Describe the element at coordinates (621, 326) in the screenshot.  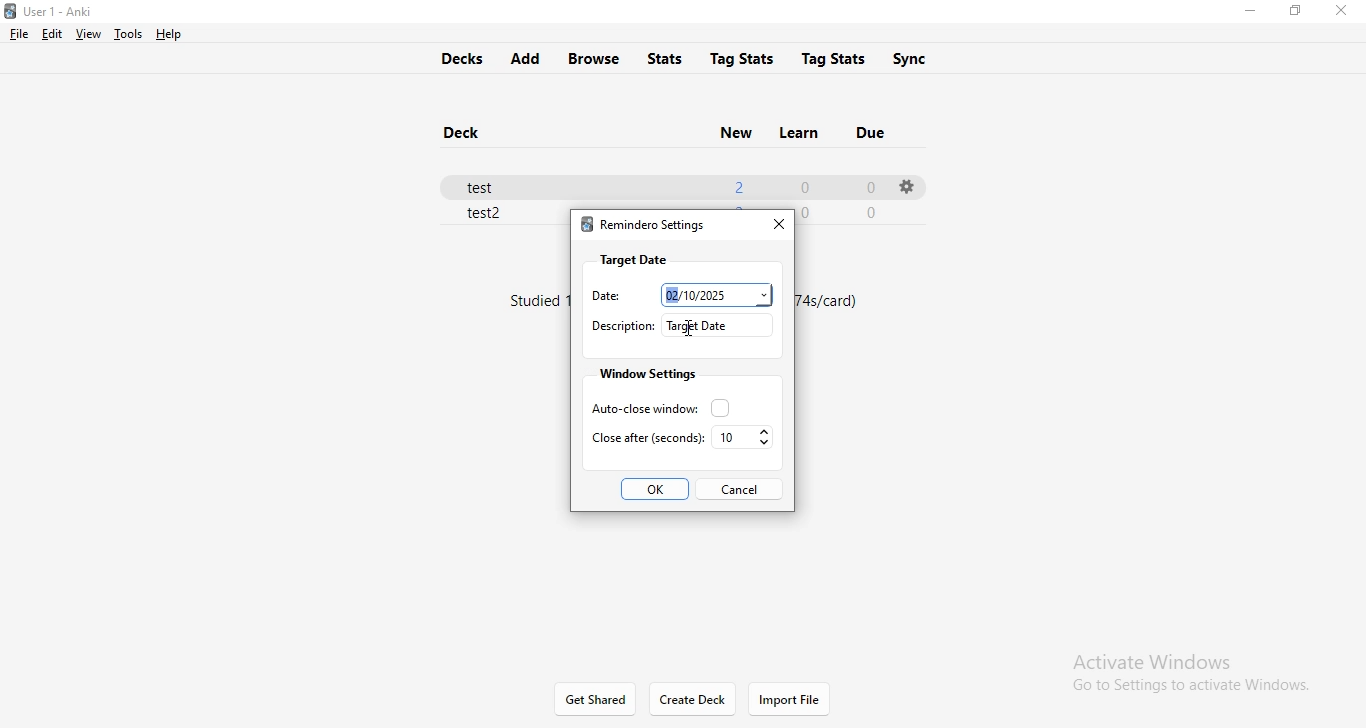
I see `descriptiuon` at that location.